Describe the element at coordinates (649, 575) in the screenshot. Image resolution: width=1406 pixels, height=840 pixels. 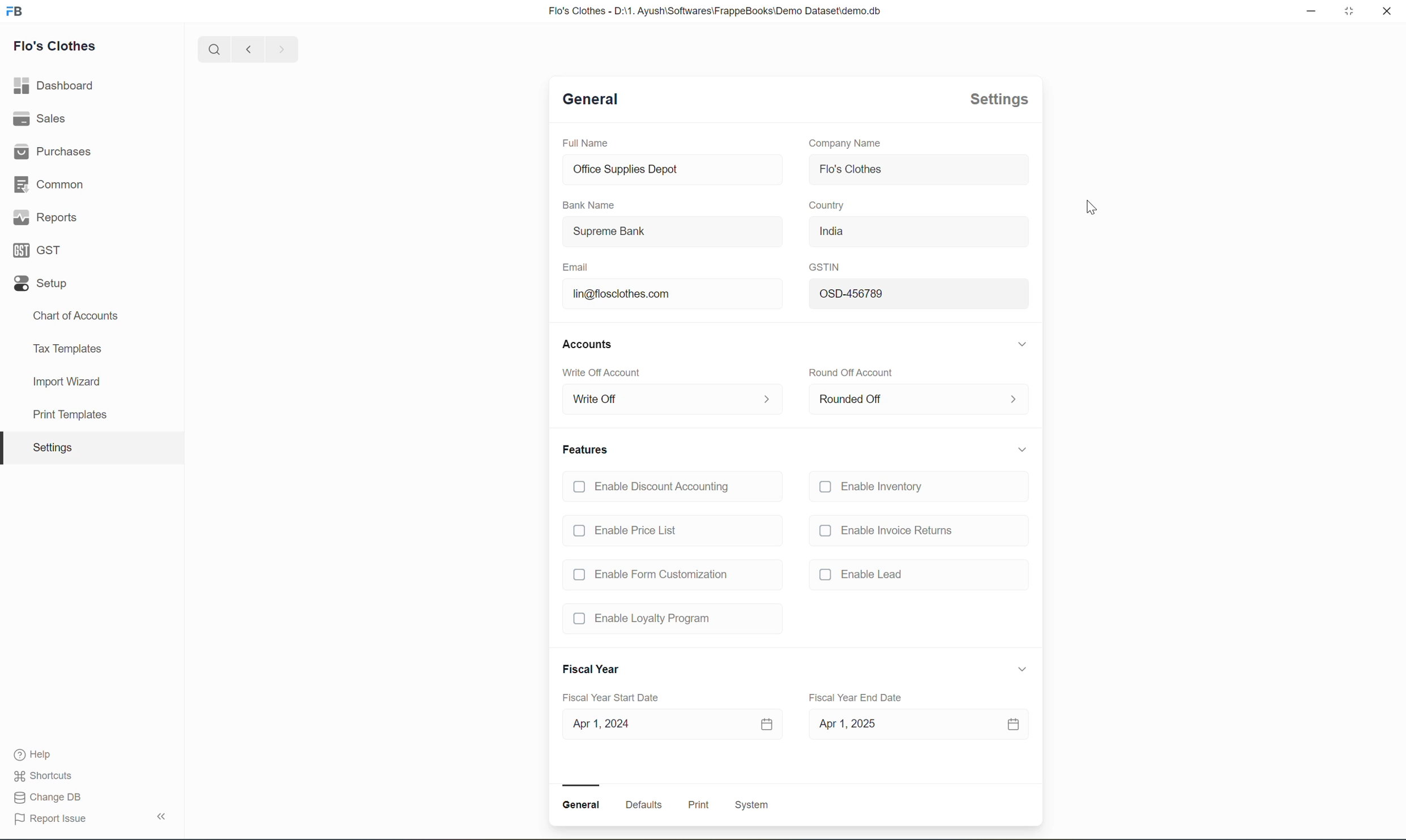
I see `Enable Form Customization` at that location.